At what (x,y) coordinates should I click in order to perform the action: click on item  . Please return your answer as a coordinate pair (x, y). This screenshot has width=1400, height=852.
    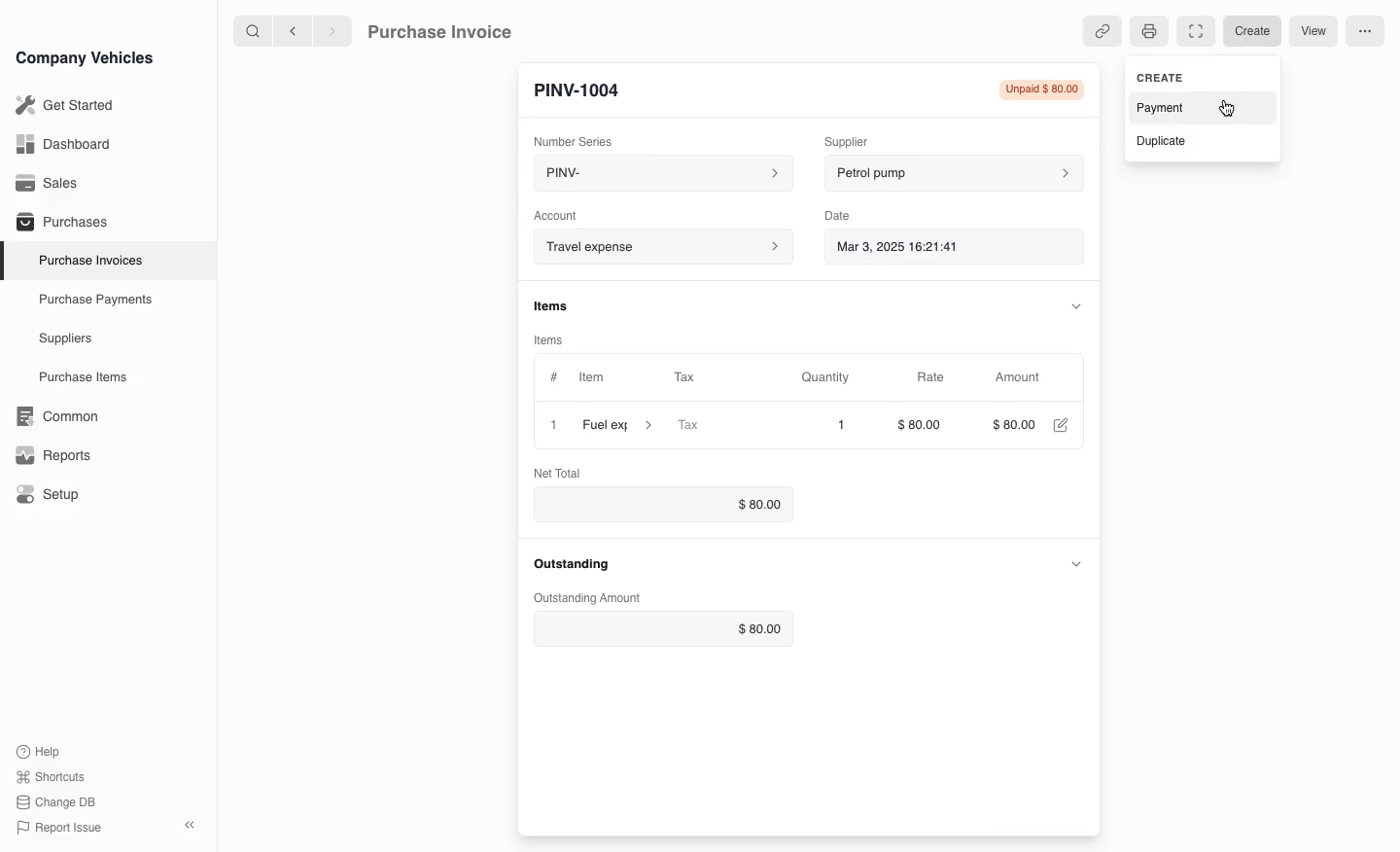
    Looking at the image, I should click on (617, 428).